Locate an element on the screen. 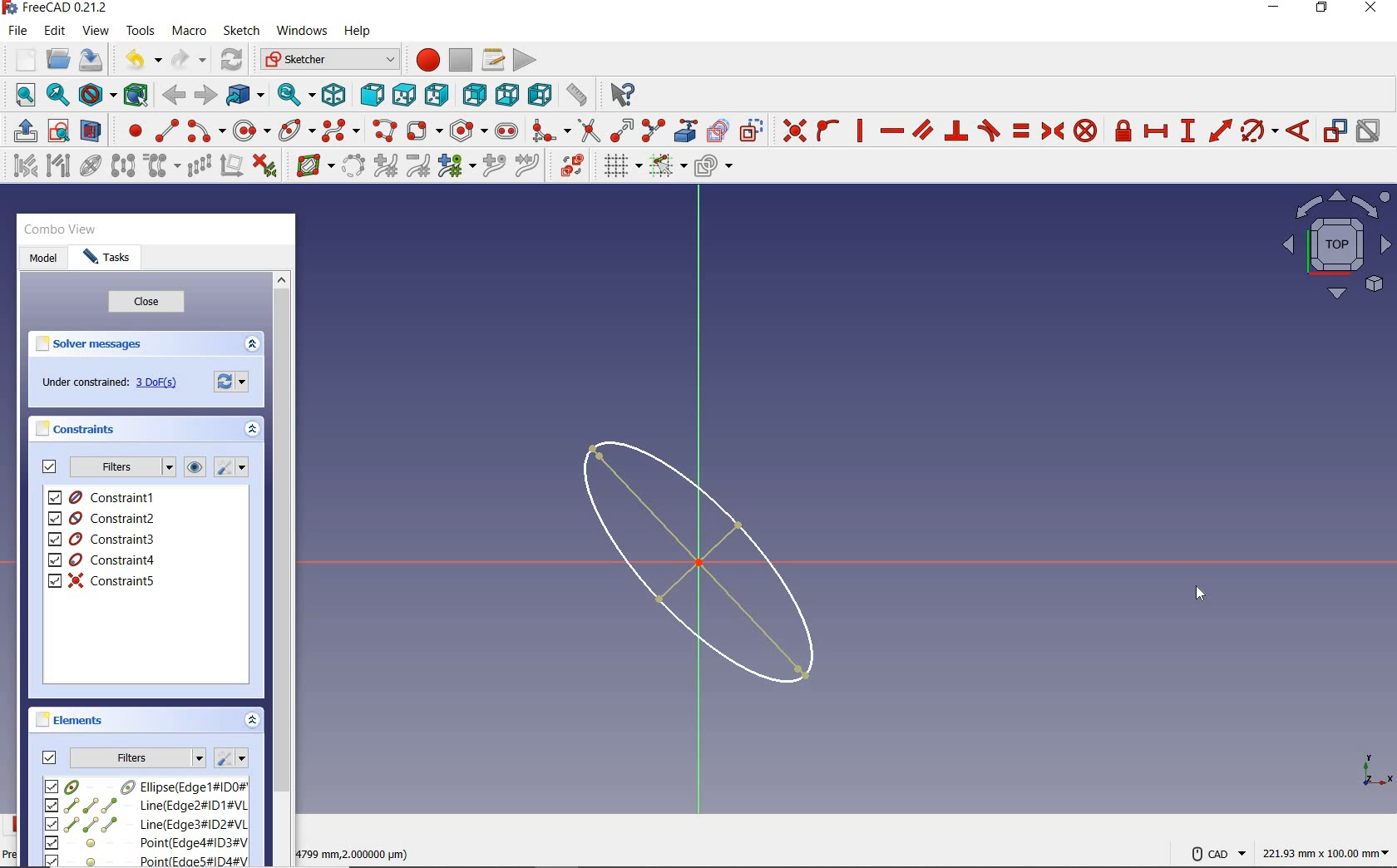 Image resolution: width=1397 pixels, height=868 pixels. combo view is located at coordinates (61, 229).